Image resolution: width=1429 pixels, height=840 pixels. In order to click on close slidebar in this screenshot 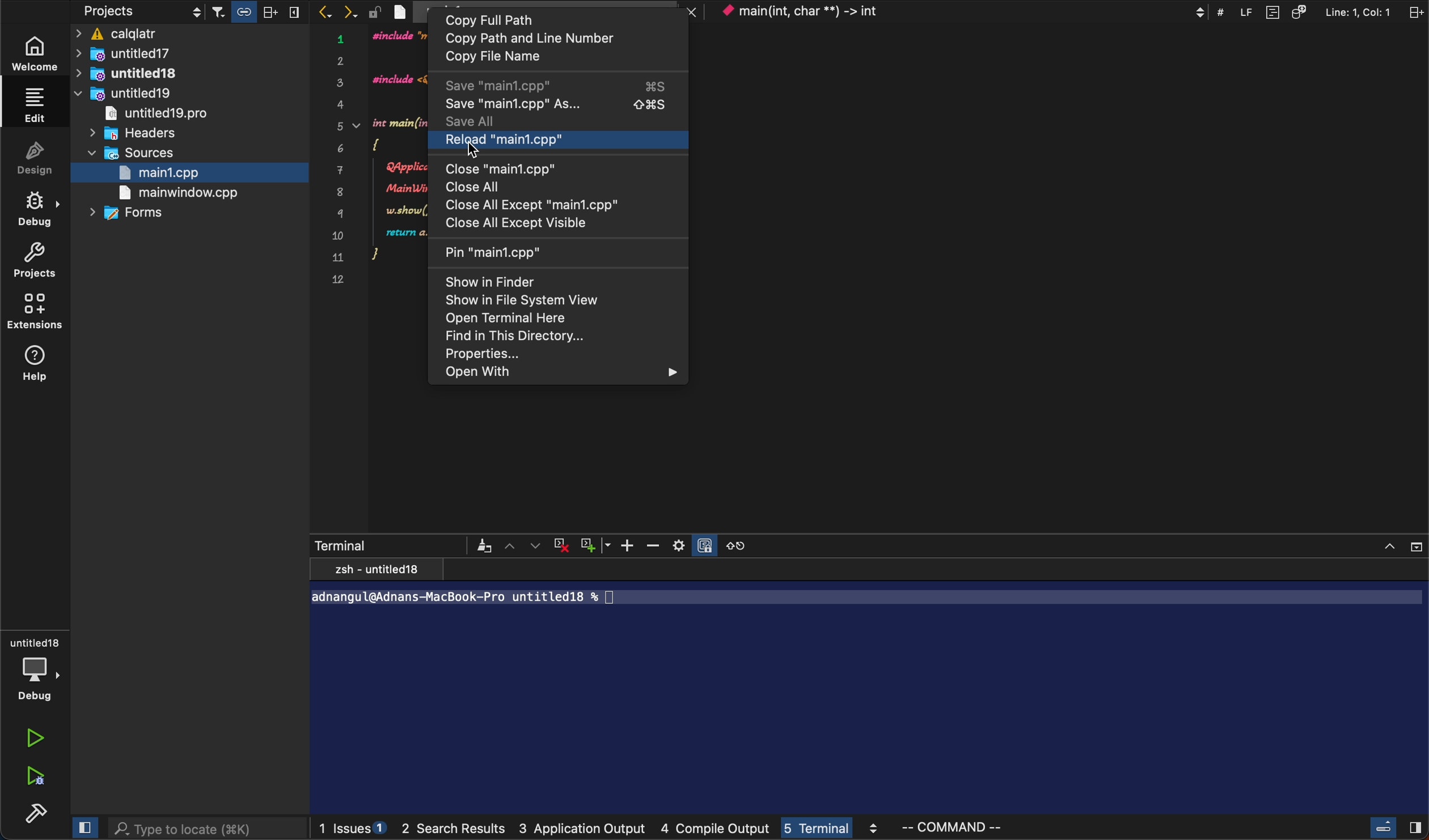, I will do `click(84, 829)`.